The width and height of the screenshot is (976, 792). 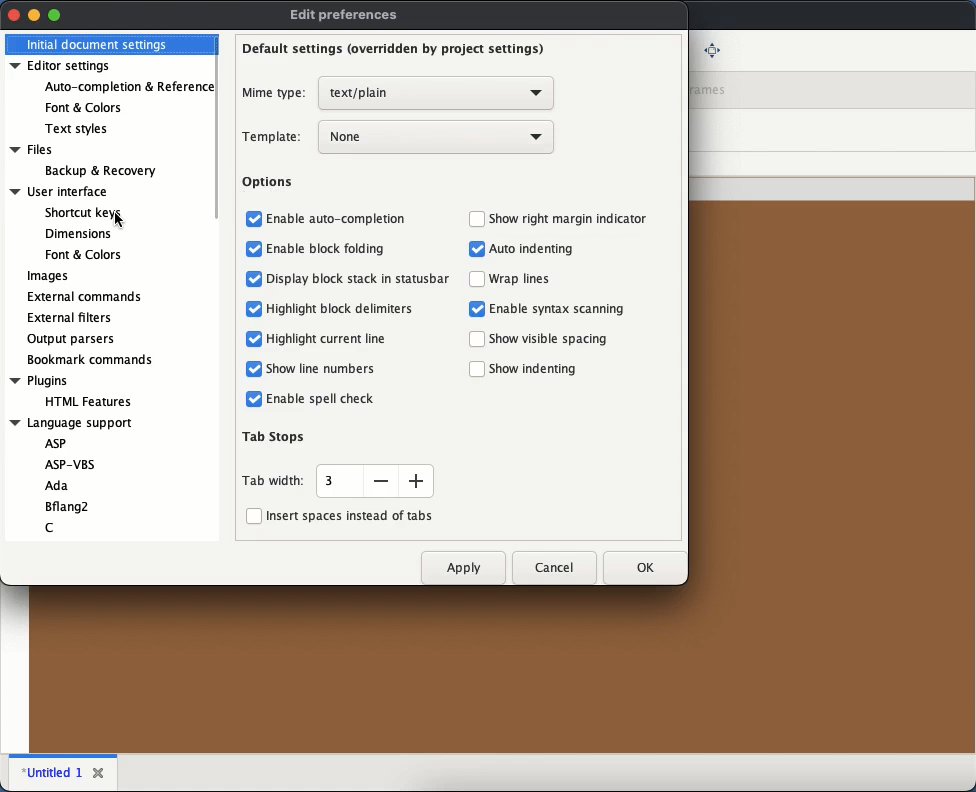 What do you see at coordinates (327, 250) in the screenshot?
I see `Enable block folding` at bounding box center [327, 250].